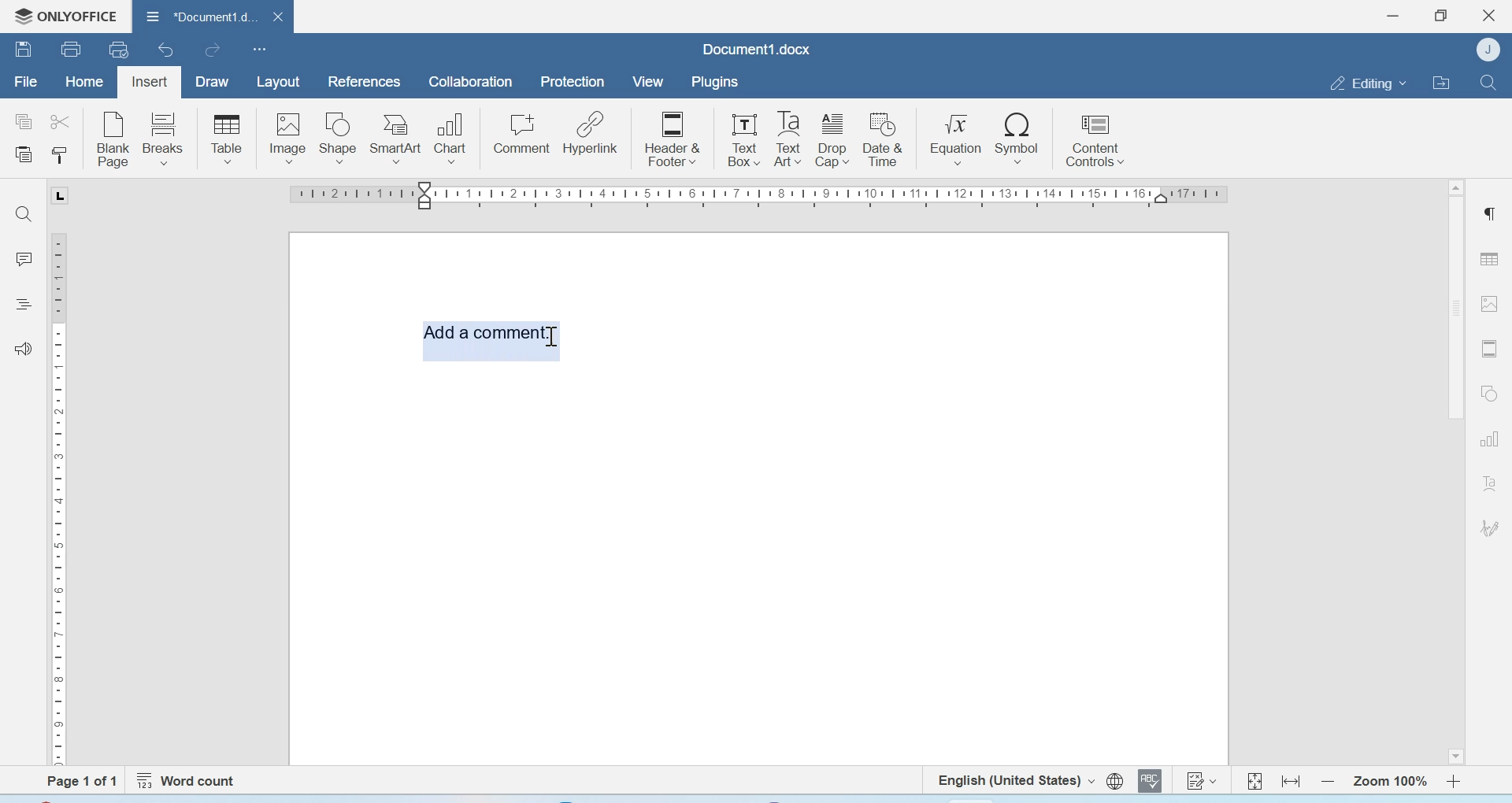  Describe the element at coordinates (81, 781) in the screenshot. I see `Page 1 of 1` at that location.